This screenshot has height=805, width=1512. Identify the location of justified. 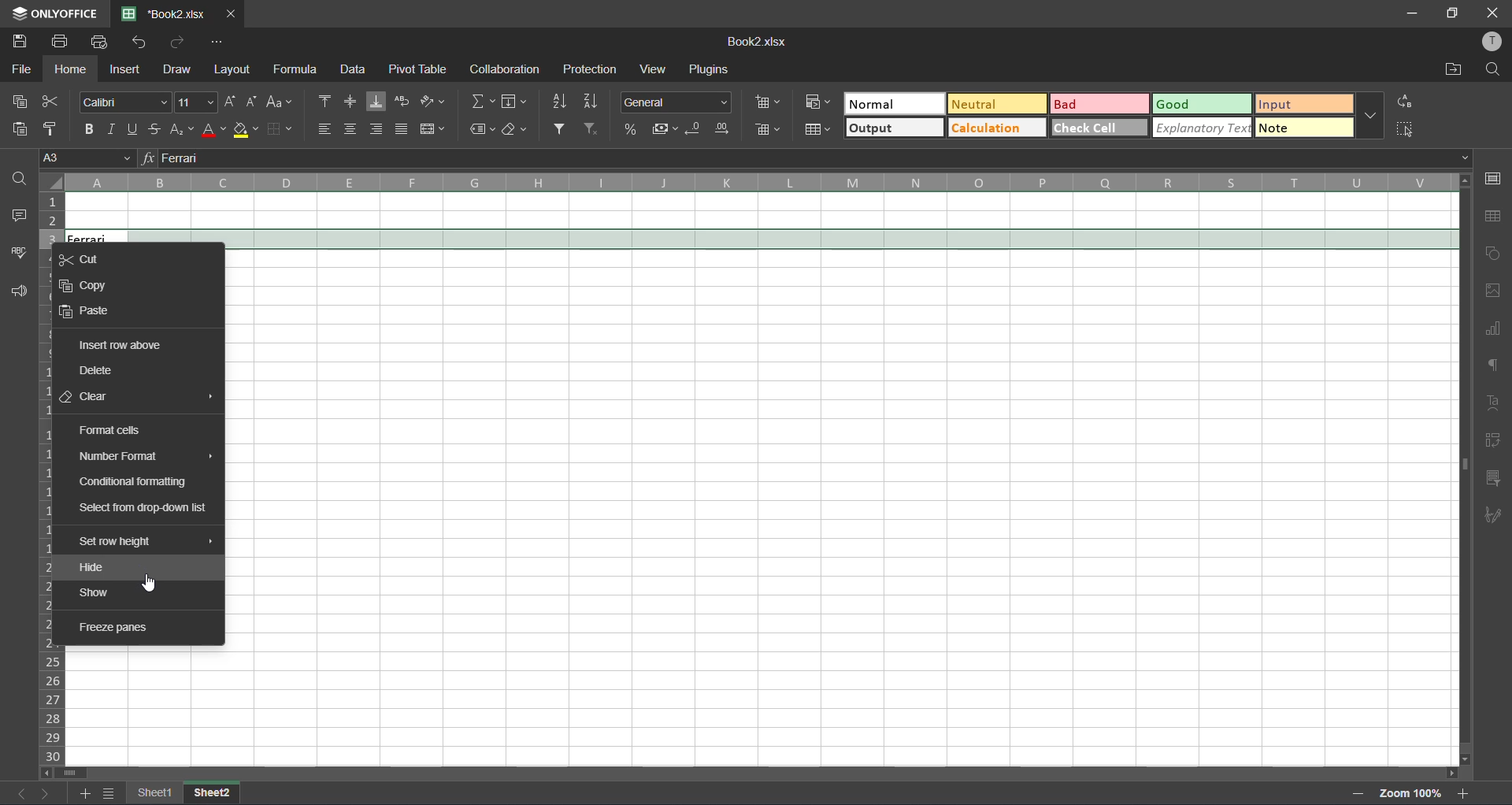
(403, 127).